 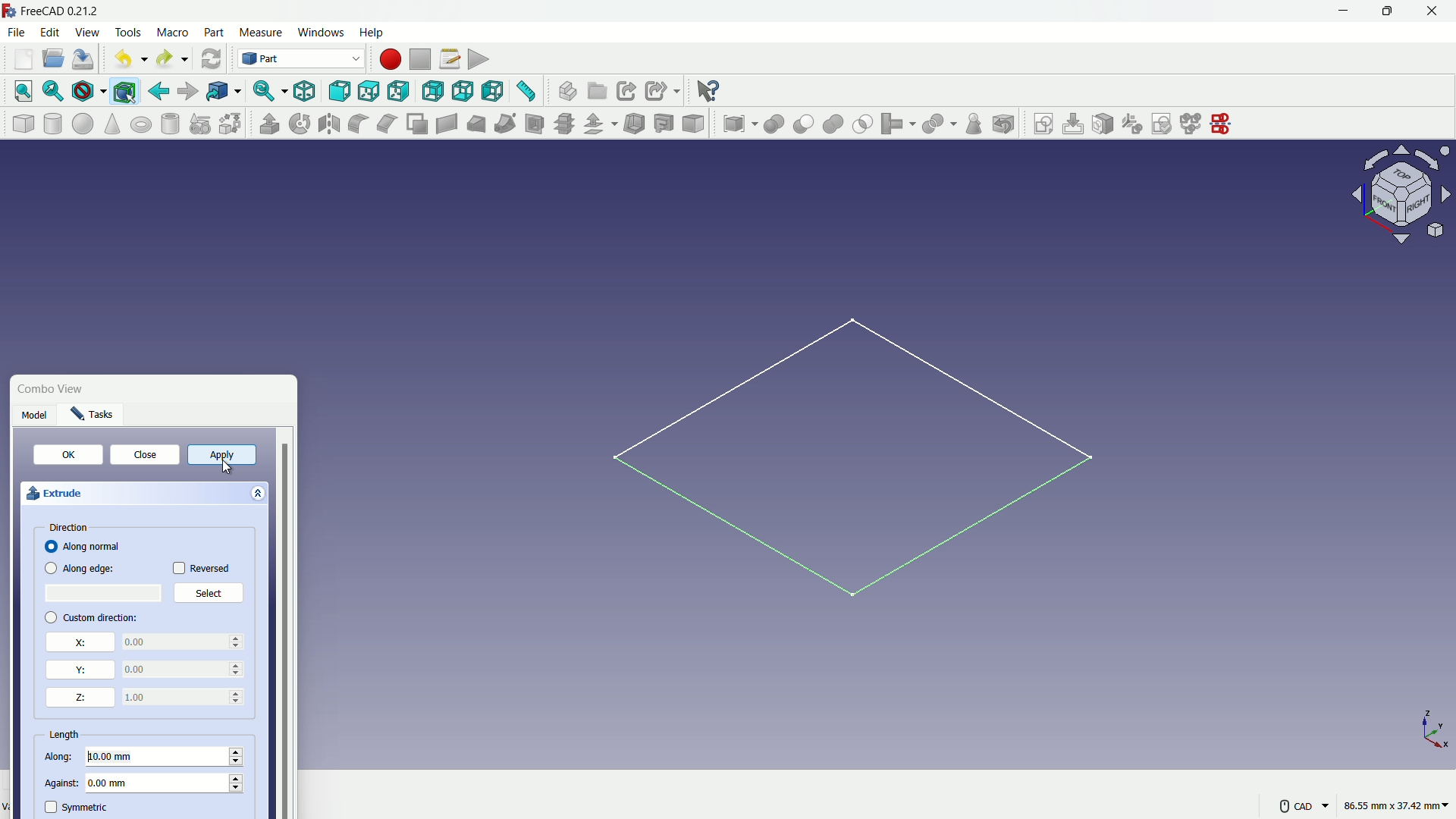 What do you see at coordinates (224, 90) in the screenshot?
I see `go to linked objects` at bounding box center [224, 90].